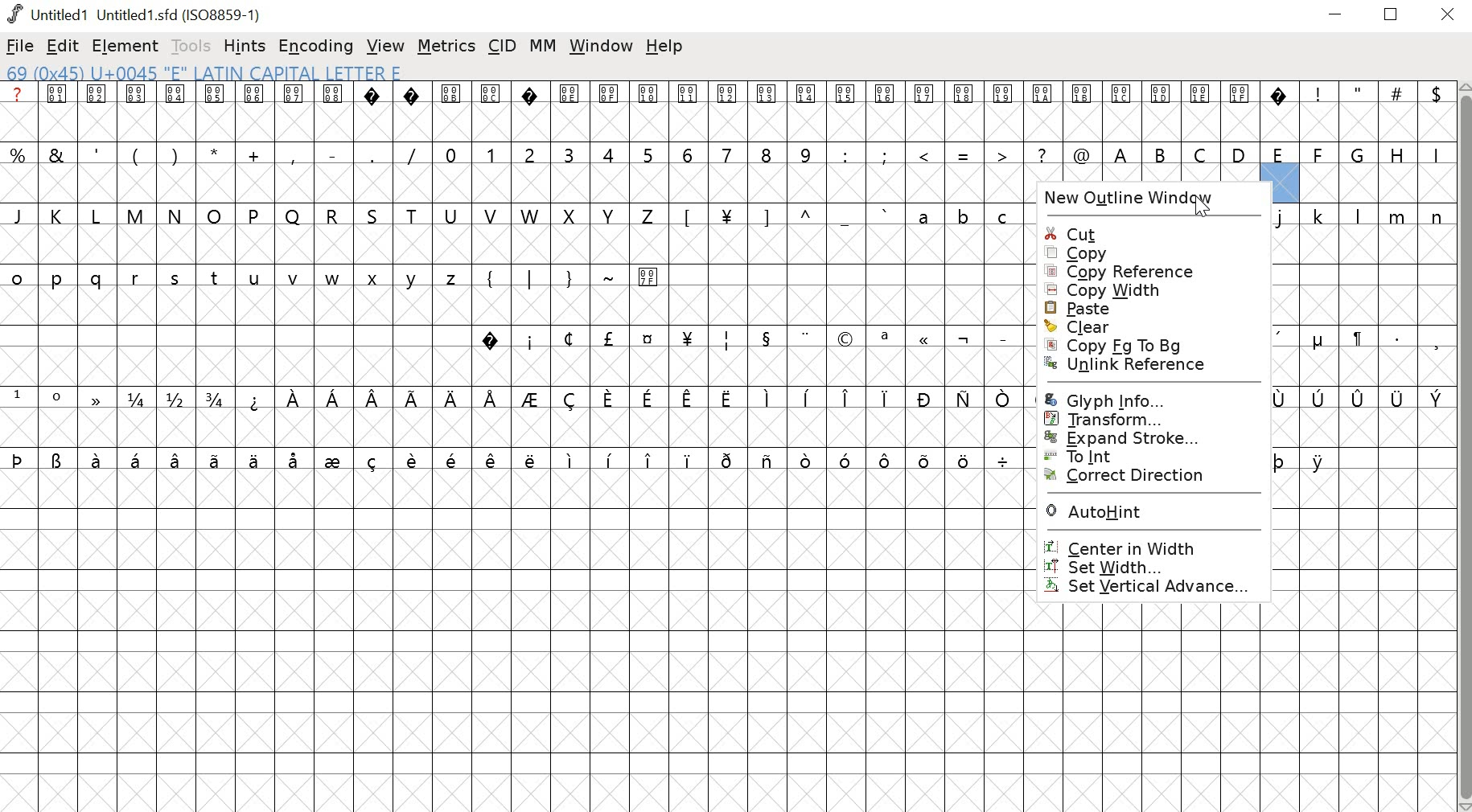  Describe the element at coordinates (1207, 205) in the screenshot. I see `Cursor over New Outline Window` at that location.